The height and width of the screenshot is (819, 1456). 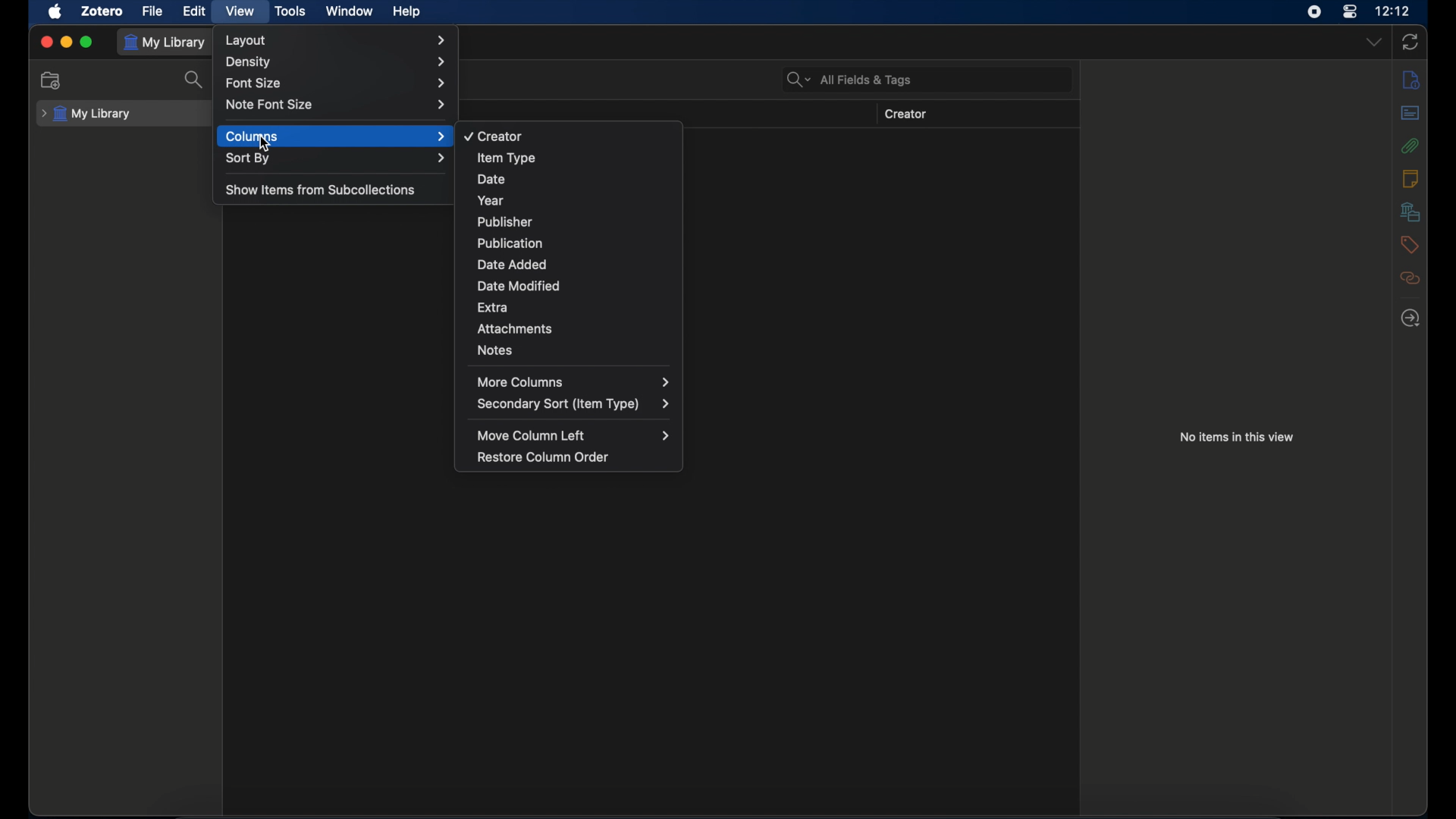 What do you see at coordinates (323, 189) in the screenshot?
I see `show item from subcollections` at bounding box center [323, 189].